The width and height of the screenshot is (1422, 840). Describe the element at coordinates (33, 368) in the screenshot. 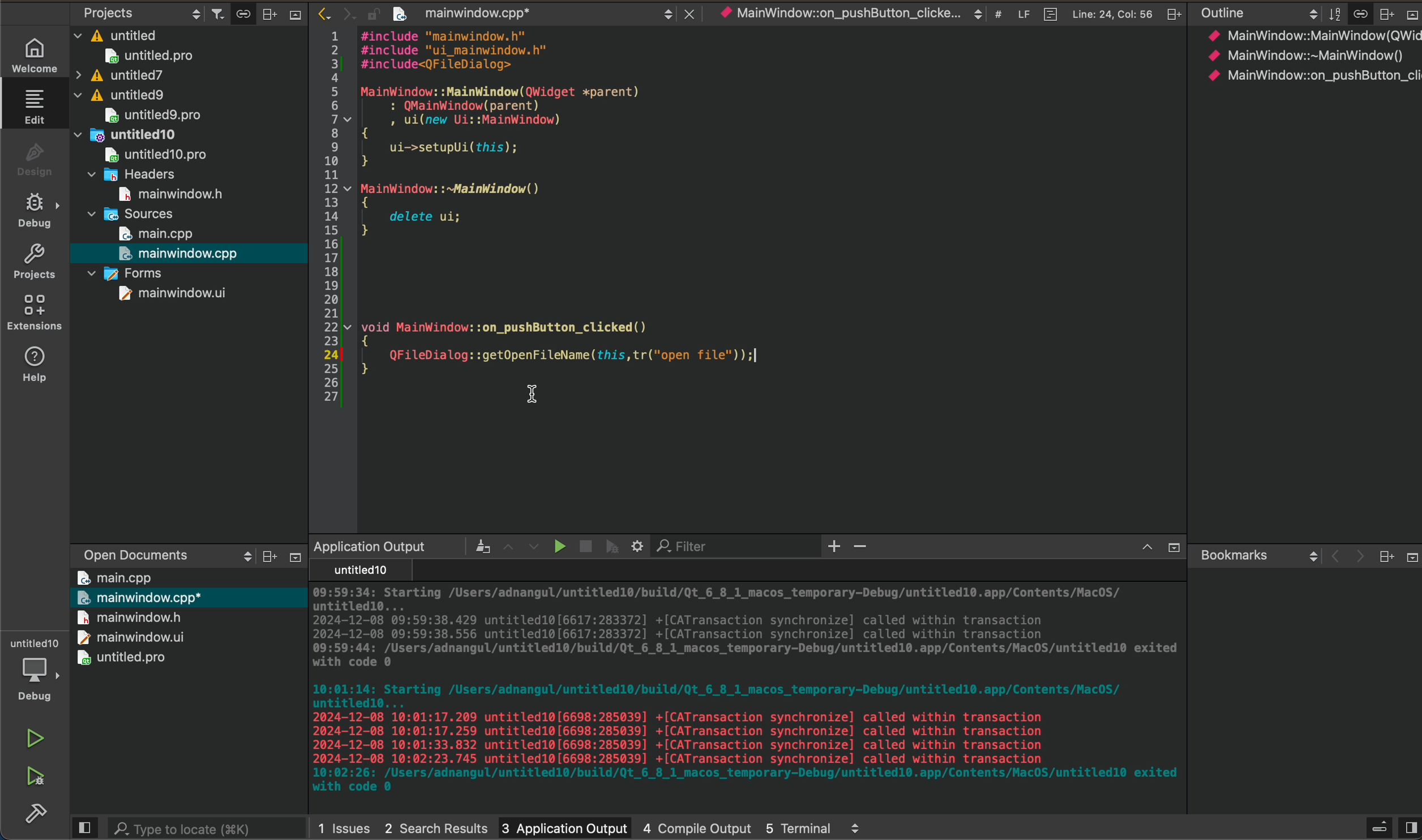

I see `help` at that location.